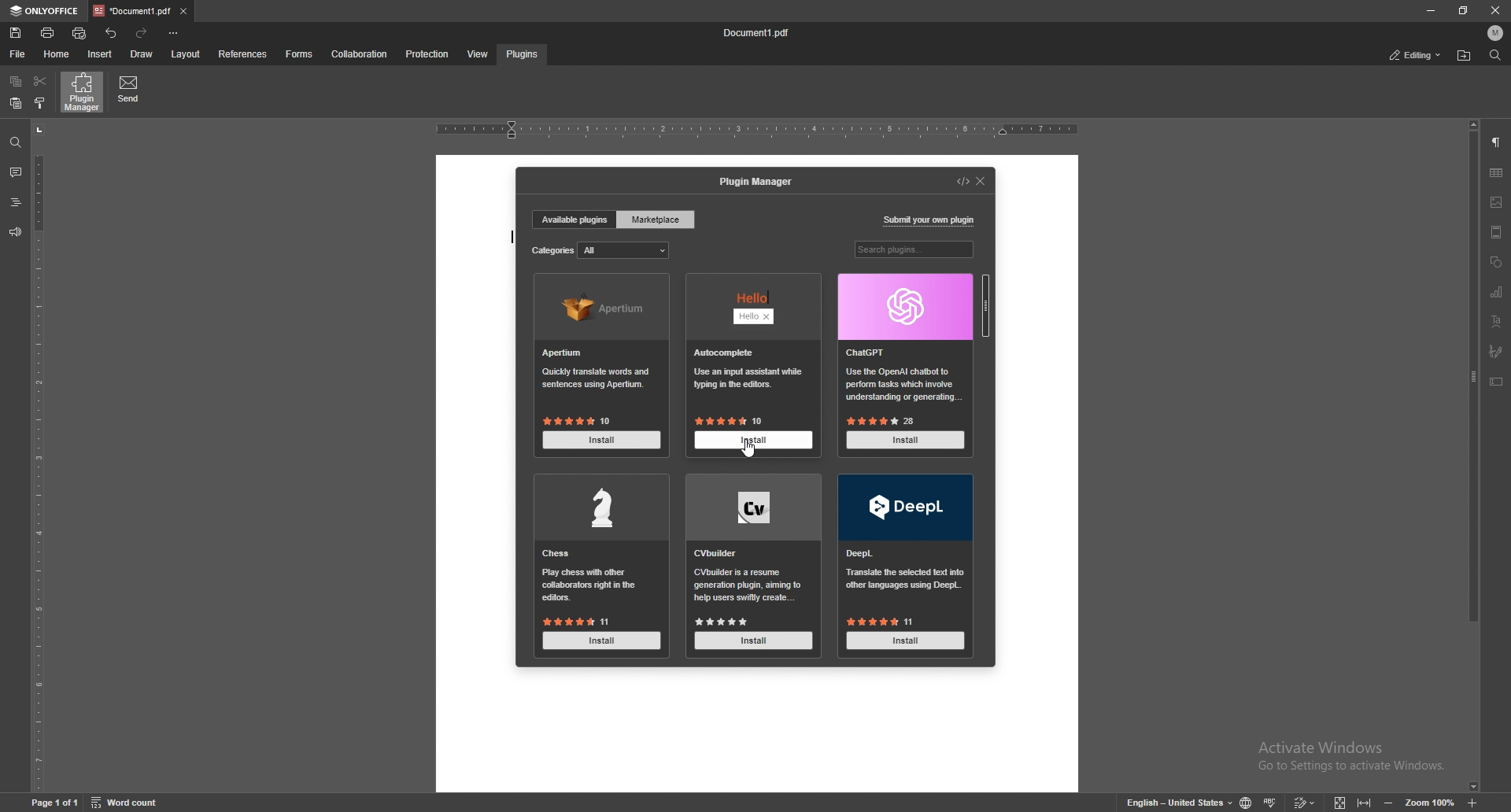  I want to click on spell check, so click(1275, 803).